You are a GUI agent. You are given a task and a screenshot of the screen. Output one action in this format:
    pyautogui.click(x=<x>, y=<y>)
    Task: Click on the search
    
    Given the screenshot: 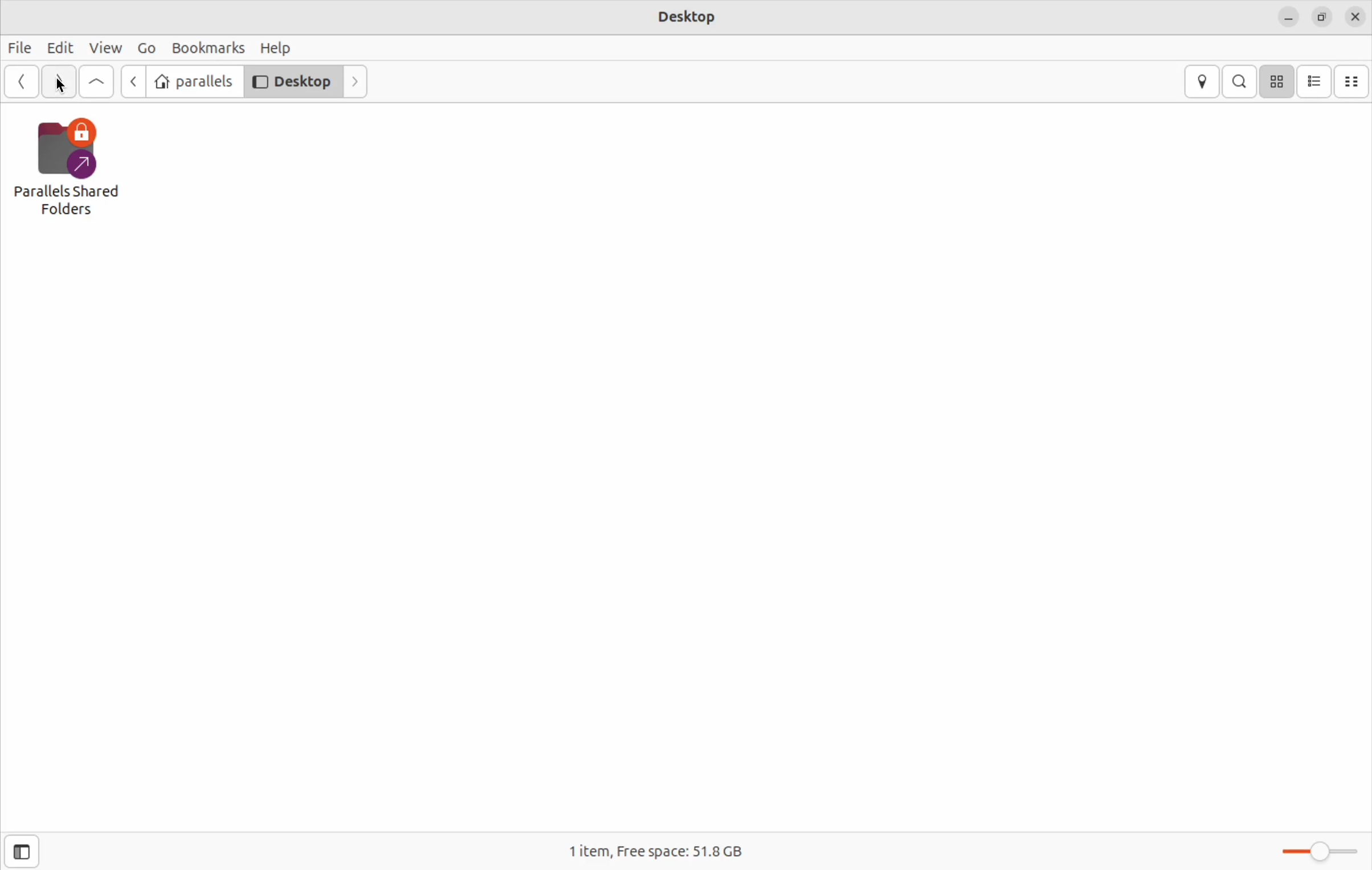 What is the action you would take?
    pyautogui.click(x=1239, y=81)
    